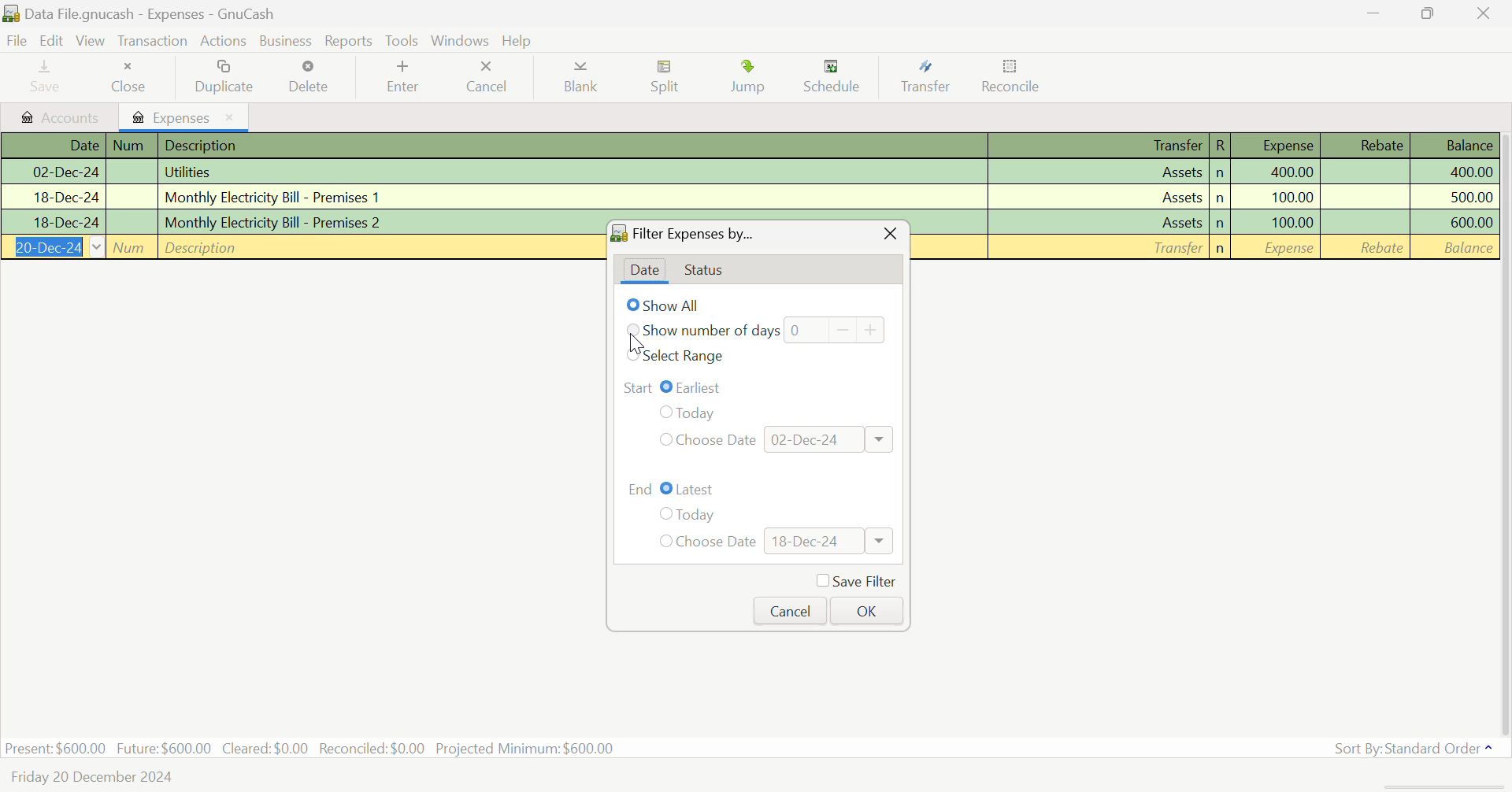 Image resolution: width=1512 pixels, height=792 pixels. What do you see at coordinates (1098, 196) in the screenshot?
I see `Assets` at bounding box center [1098, 196].